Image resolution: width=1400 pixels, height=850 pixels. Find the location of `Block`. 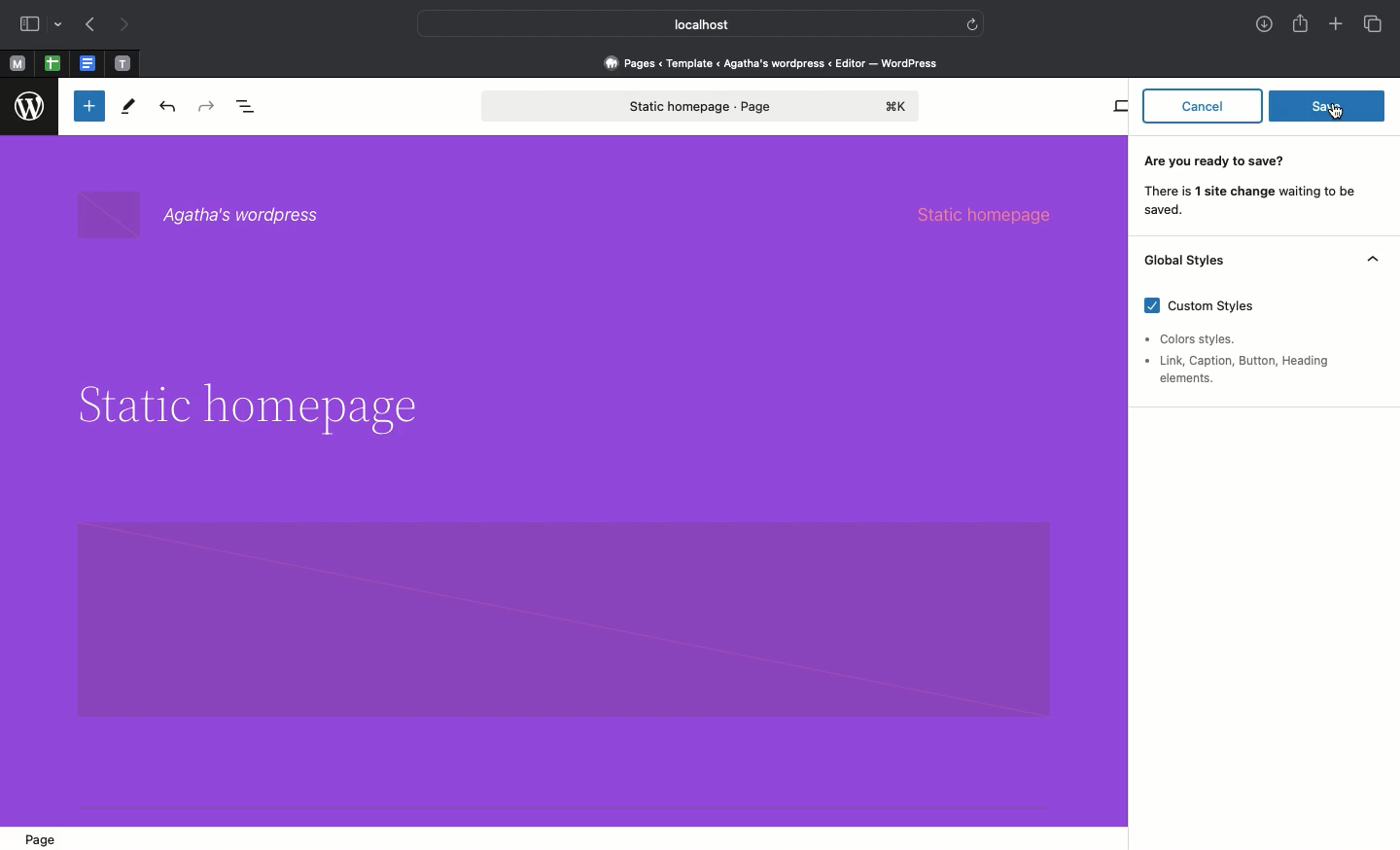

Block is located at coordinates (563, 616).